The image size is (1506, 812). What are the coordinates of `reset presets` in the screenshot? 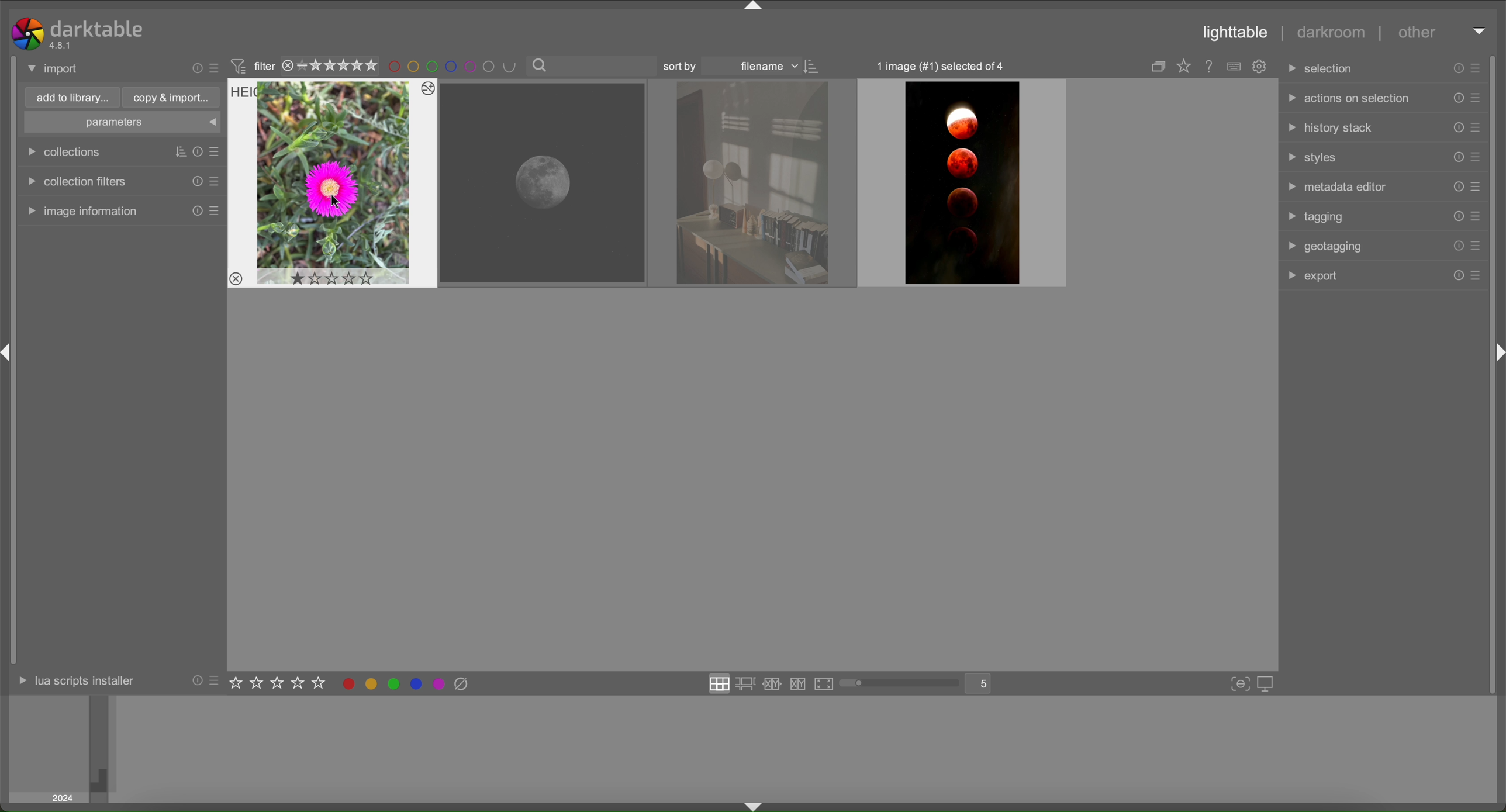 It's located at (1457, 127).